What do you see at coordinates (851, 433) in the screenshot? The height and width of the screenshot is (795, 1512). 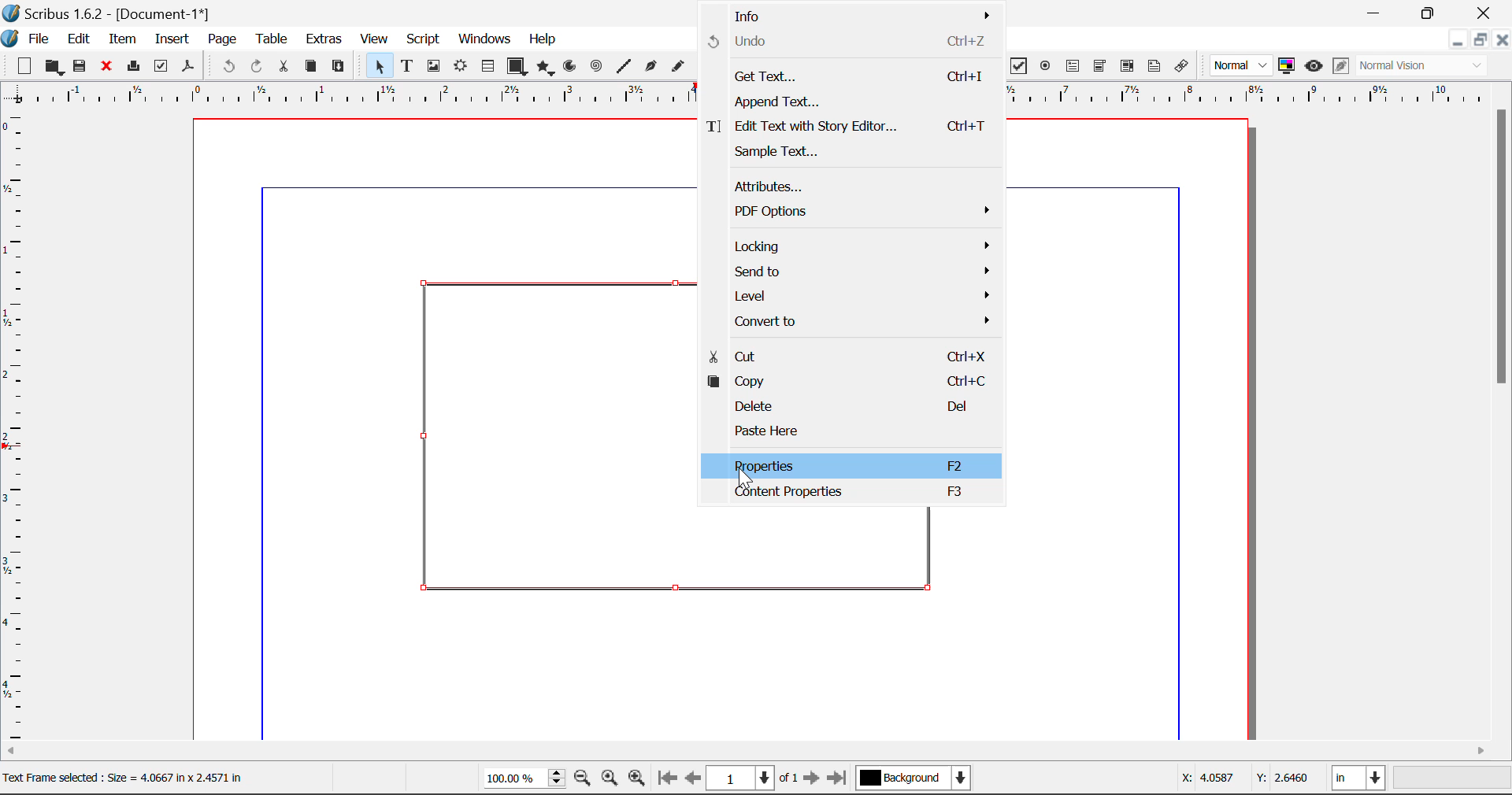 I see `Paste Here` at bounding box center [851, 433].